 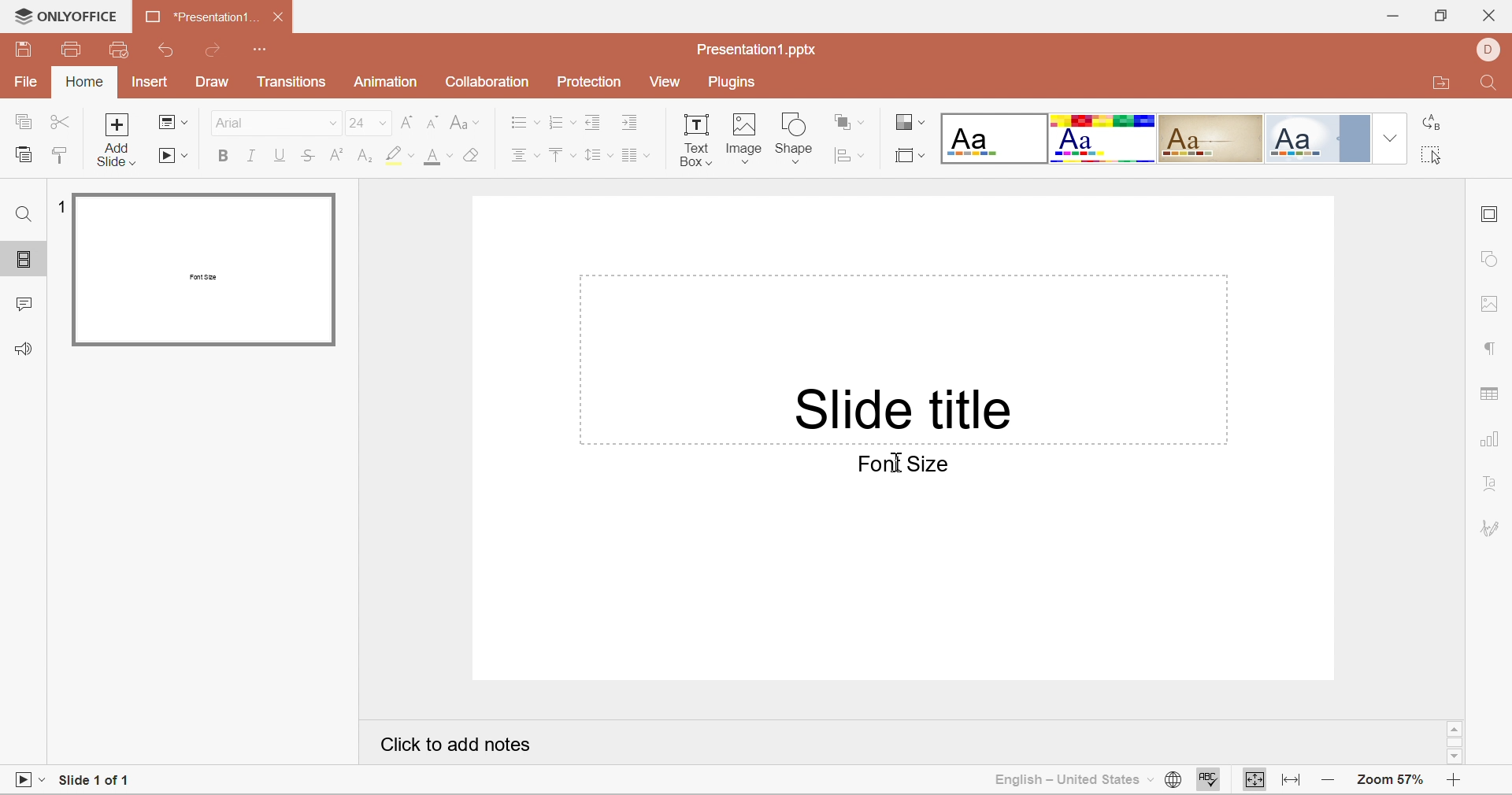 What do you see at coordinates (695, 142) in the screenshot?
I see `Text Box` at bounding box center [695, 142].